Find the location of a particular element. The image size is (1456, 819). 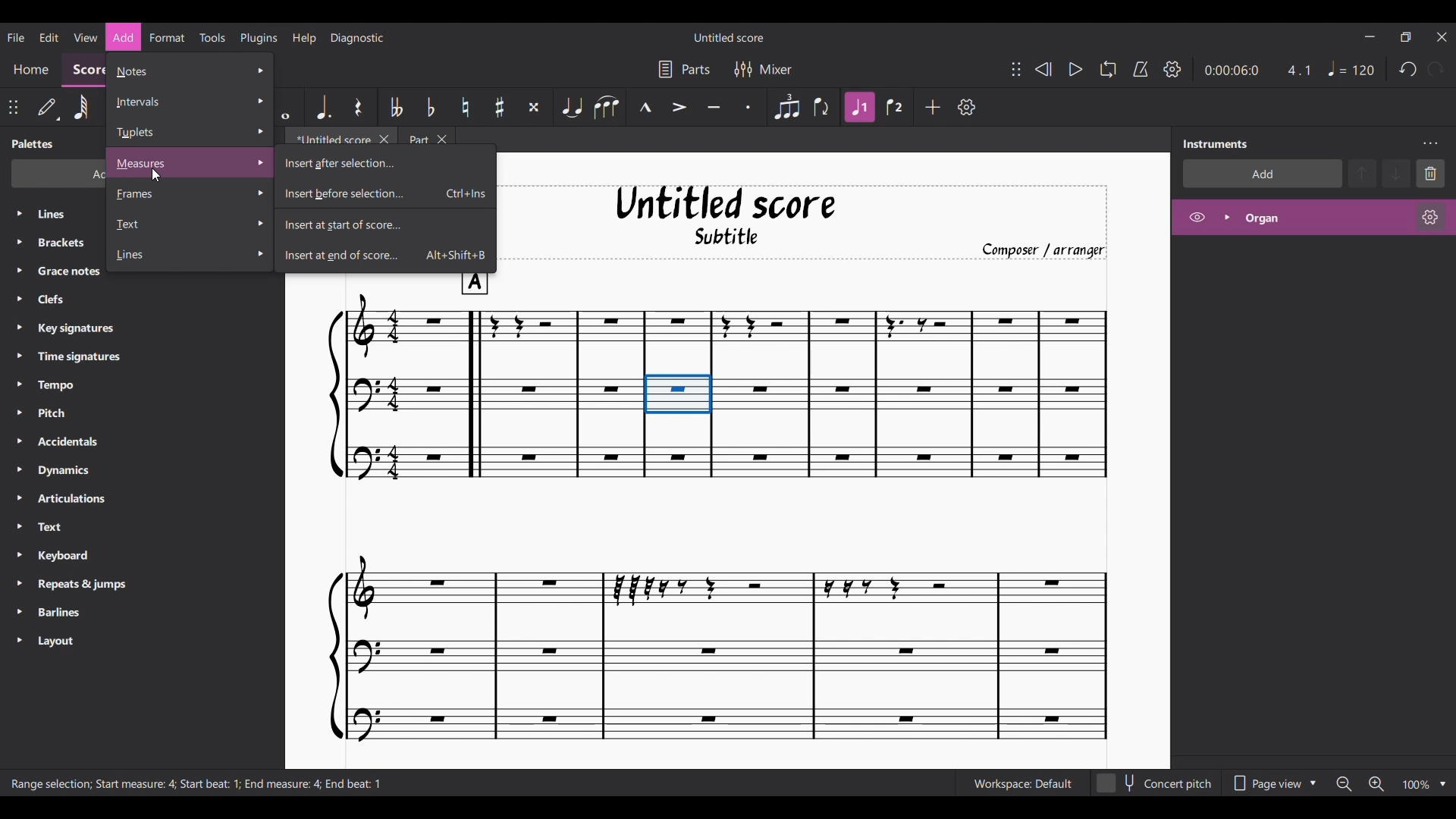

Tuplet options is located at coordinates (189, 133).